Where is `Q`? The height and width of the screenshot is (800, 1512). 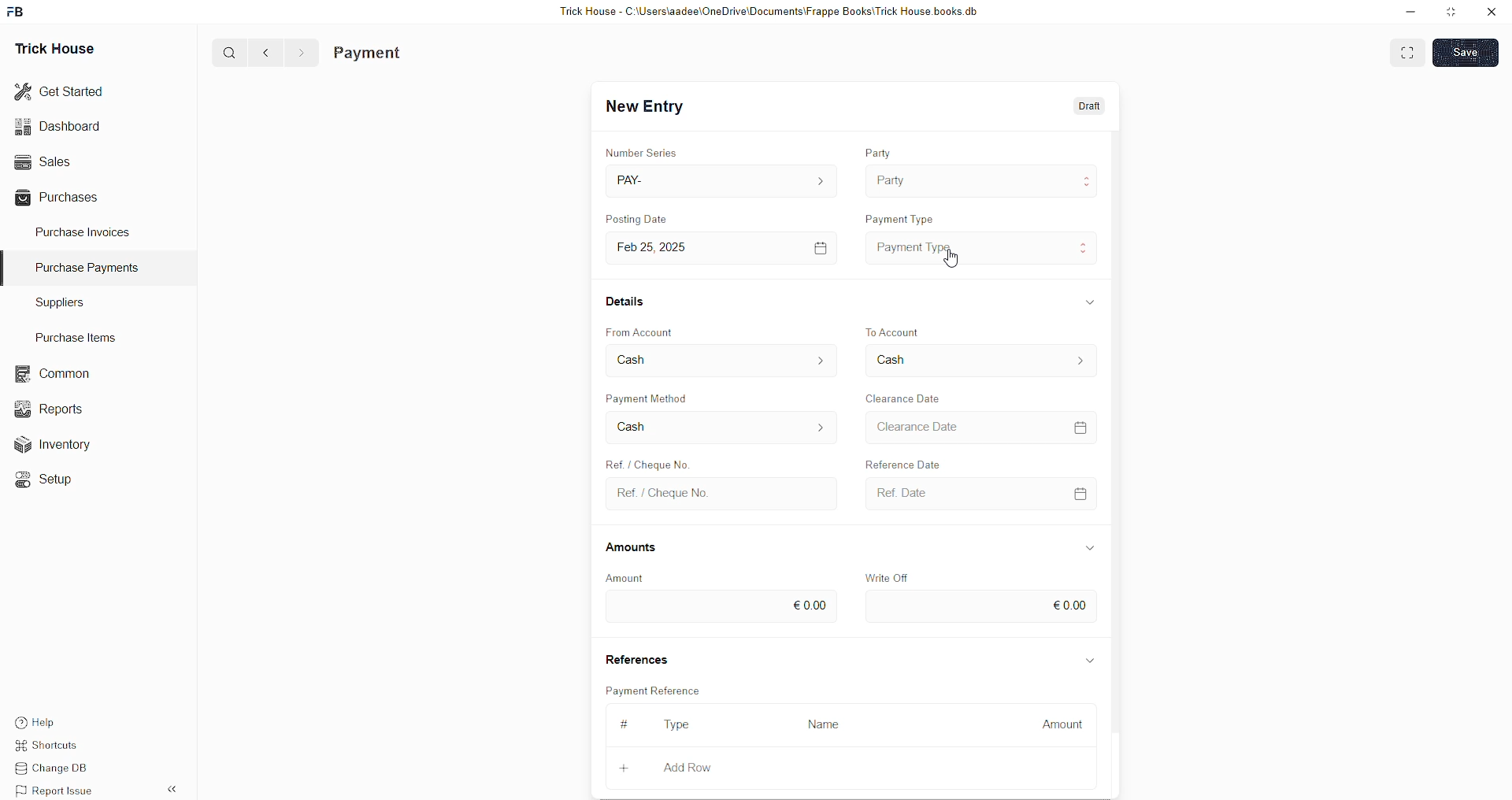
Q is located at coordinates (224, 51).